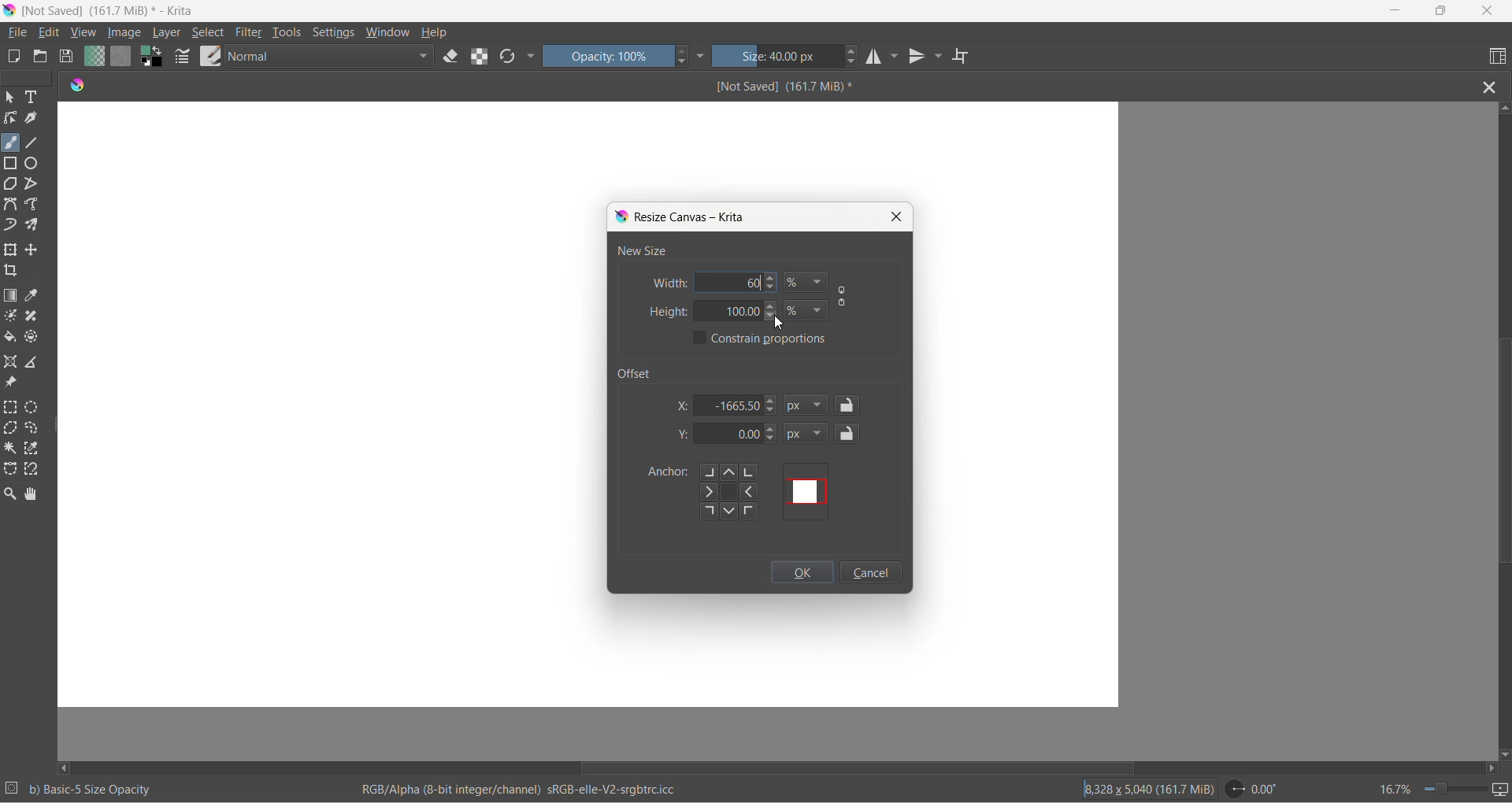 The image size is (1512, 803). What do you see at coordinates (35, 140) in the screenshot?
I see `line tool` at bounding box center [35, 140].